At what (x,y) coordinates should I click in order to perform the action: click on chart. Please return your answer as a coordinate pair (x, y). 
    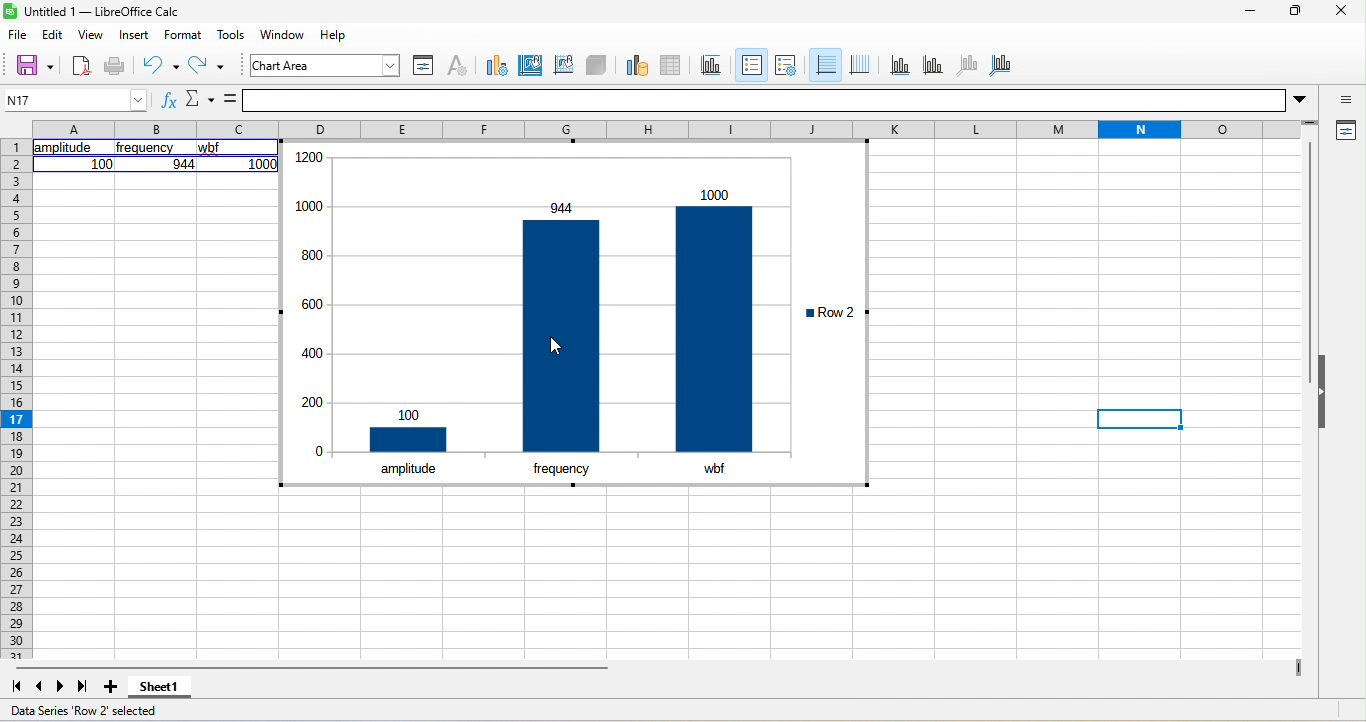
    Looking at the image, I should click on (537, 296).